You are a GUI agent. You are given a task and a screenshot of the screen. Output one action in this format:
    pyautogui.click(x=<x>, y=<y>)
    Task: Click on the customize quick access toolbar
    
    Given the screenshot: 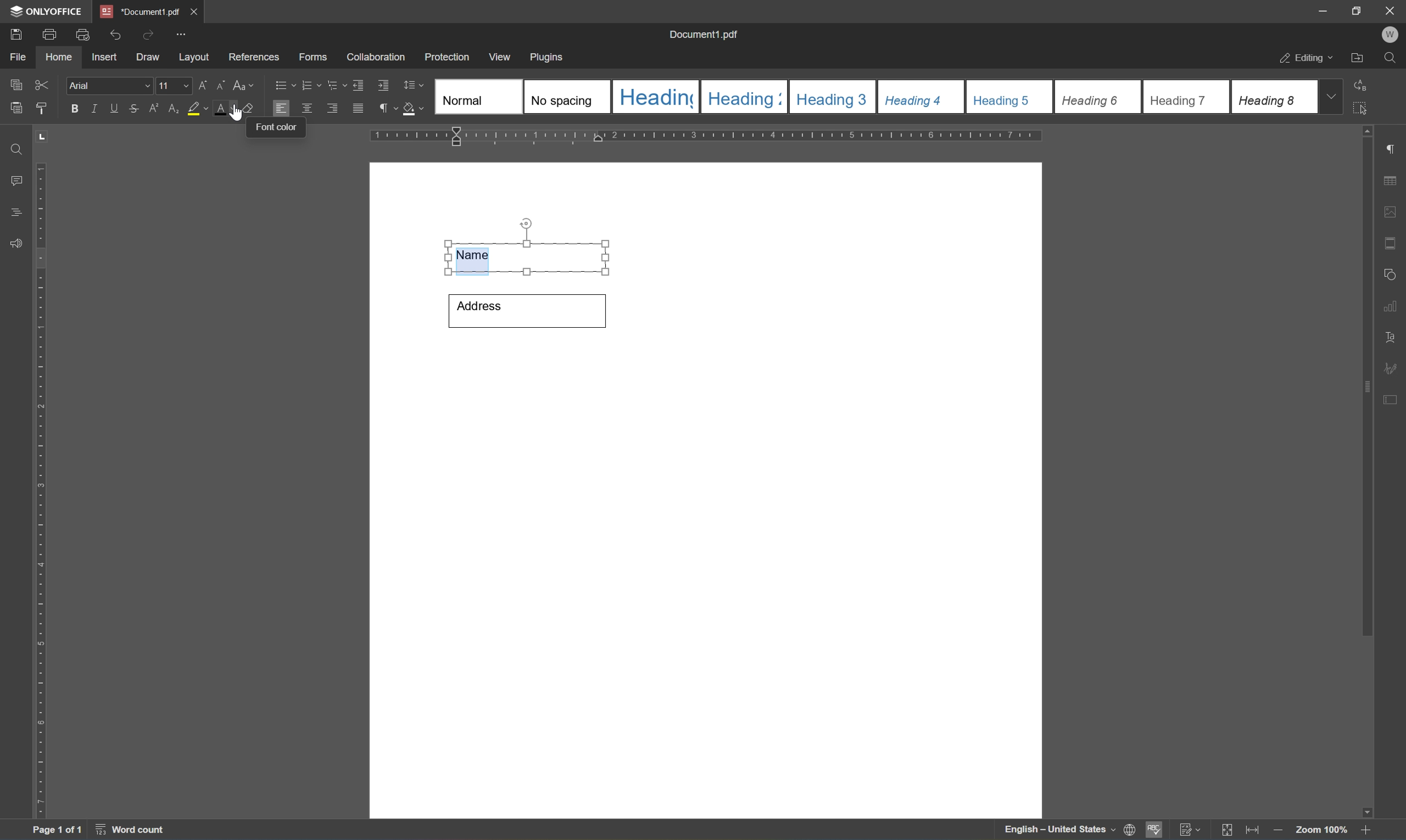 What is the action you would take?
    pyautogui.click(x=181, y=34)
    